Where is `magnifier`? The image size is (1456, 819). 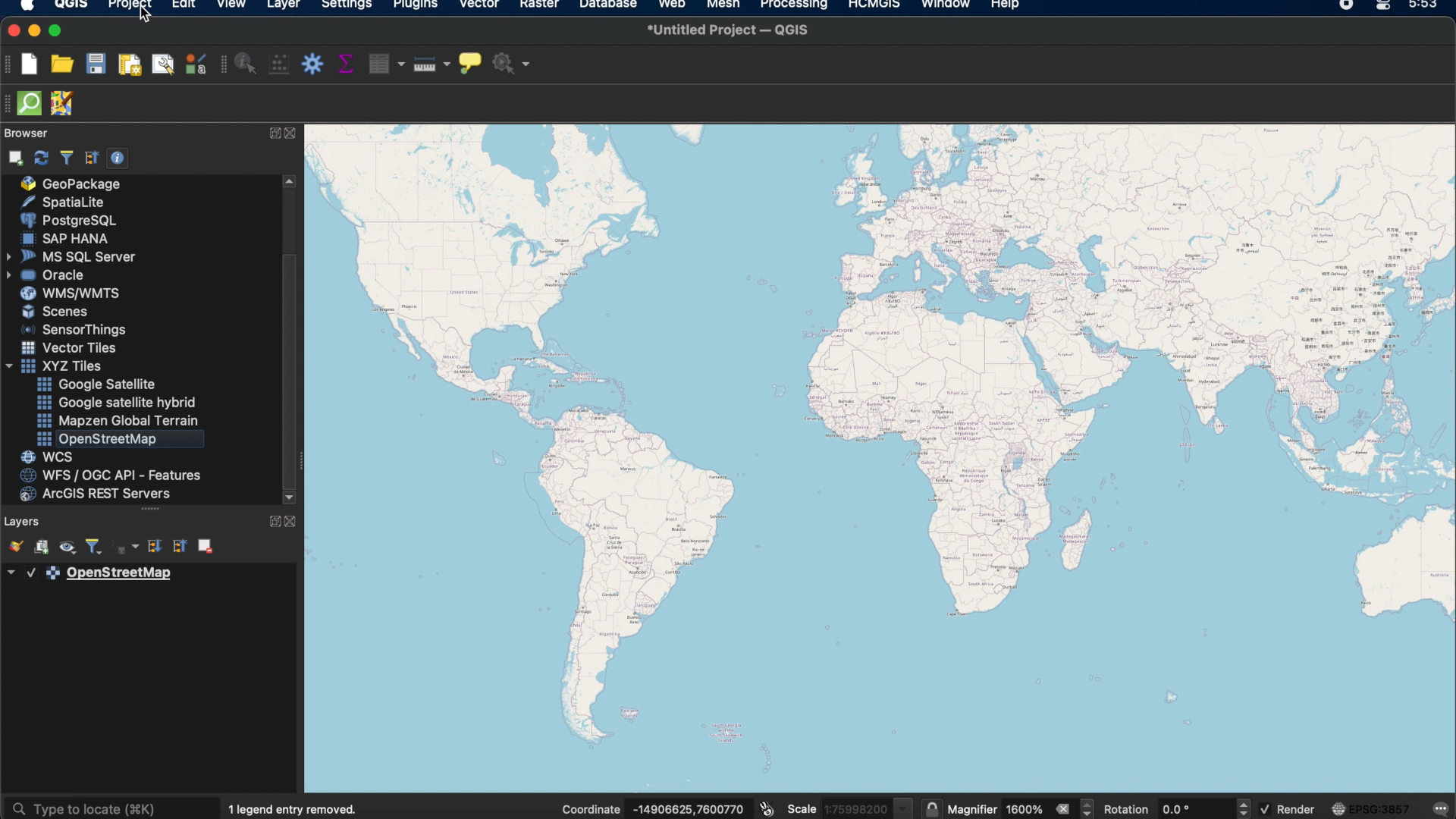 magnifier is located at coordinates (1023, 806).